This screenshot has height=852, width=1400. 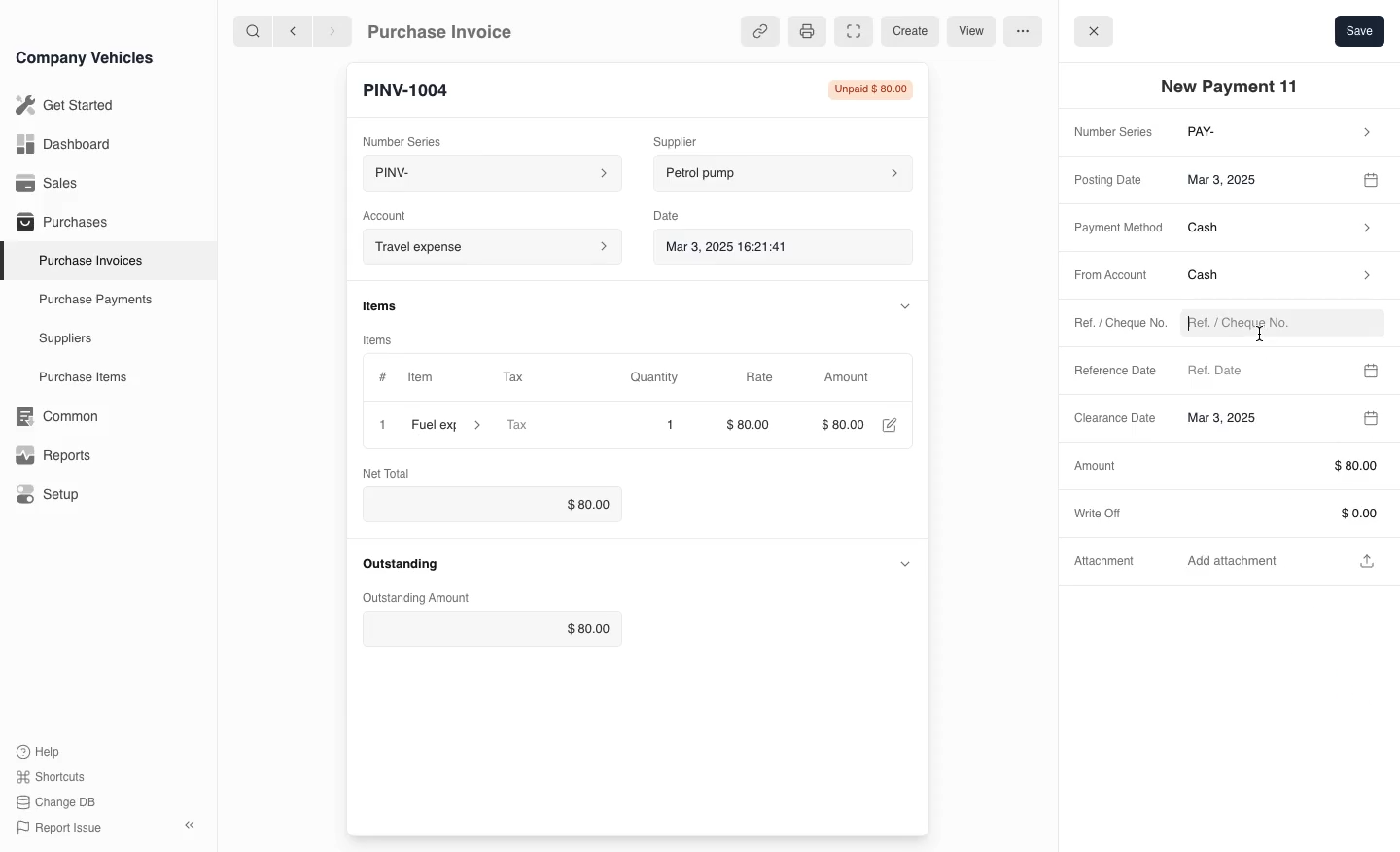 I want to click on Setup, so click(x=52, y=495).